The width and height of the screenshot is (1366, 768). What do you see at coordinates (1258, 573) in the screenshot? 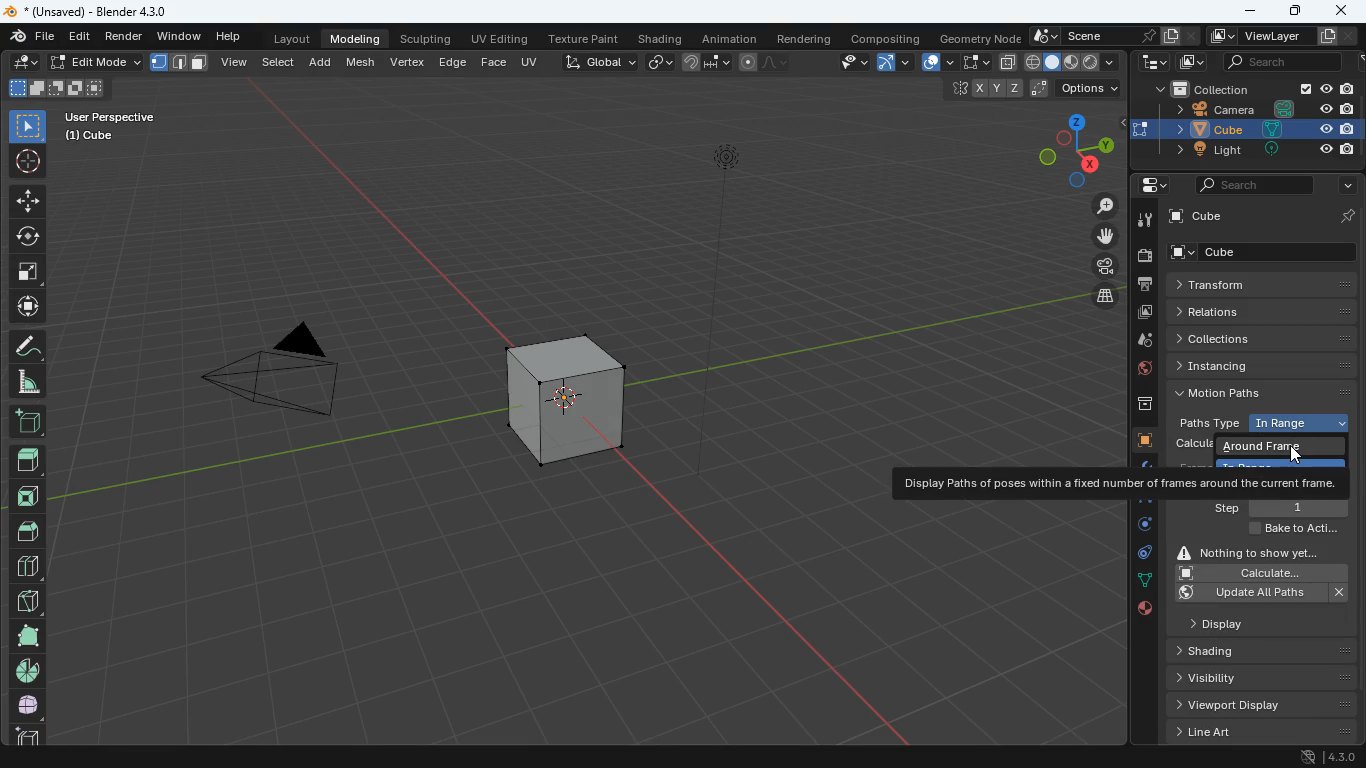
I see `calculate` at bounding box center [1258, 573].